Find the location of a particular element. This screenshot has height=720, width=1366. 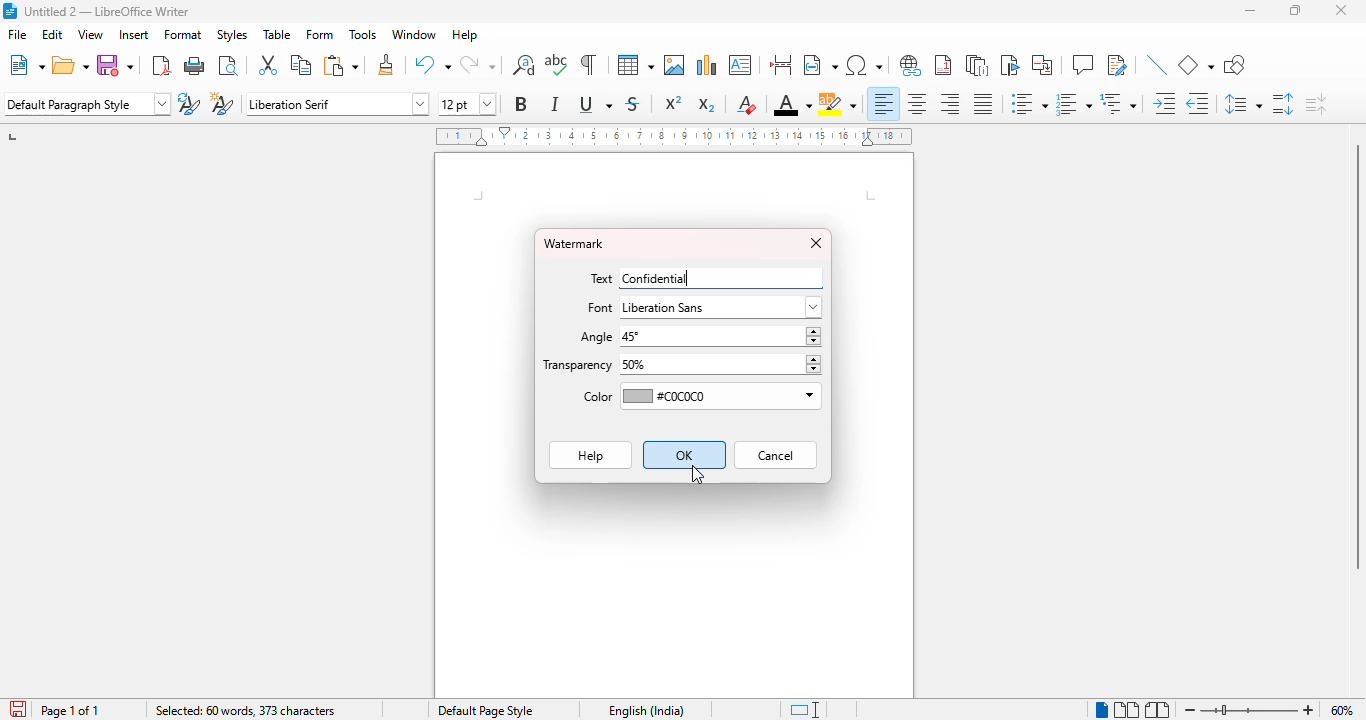

character highlighting color is located at coordinates (838, 104).